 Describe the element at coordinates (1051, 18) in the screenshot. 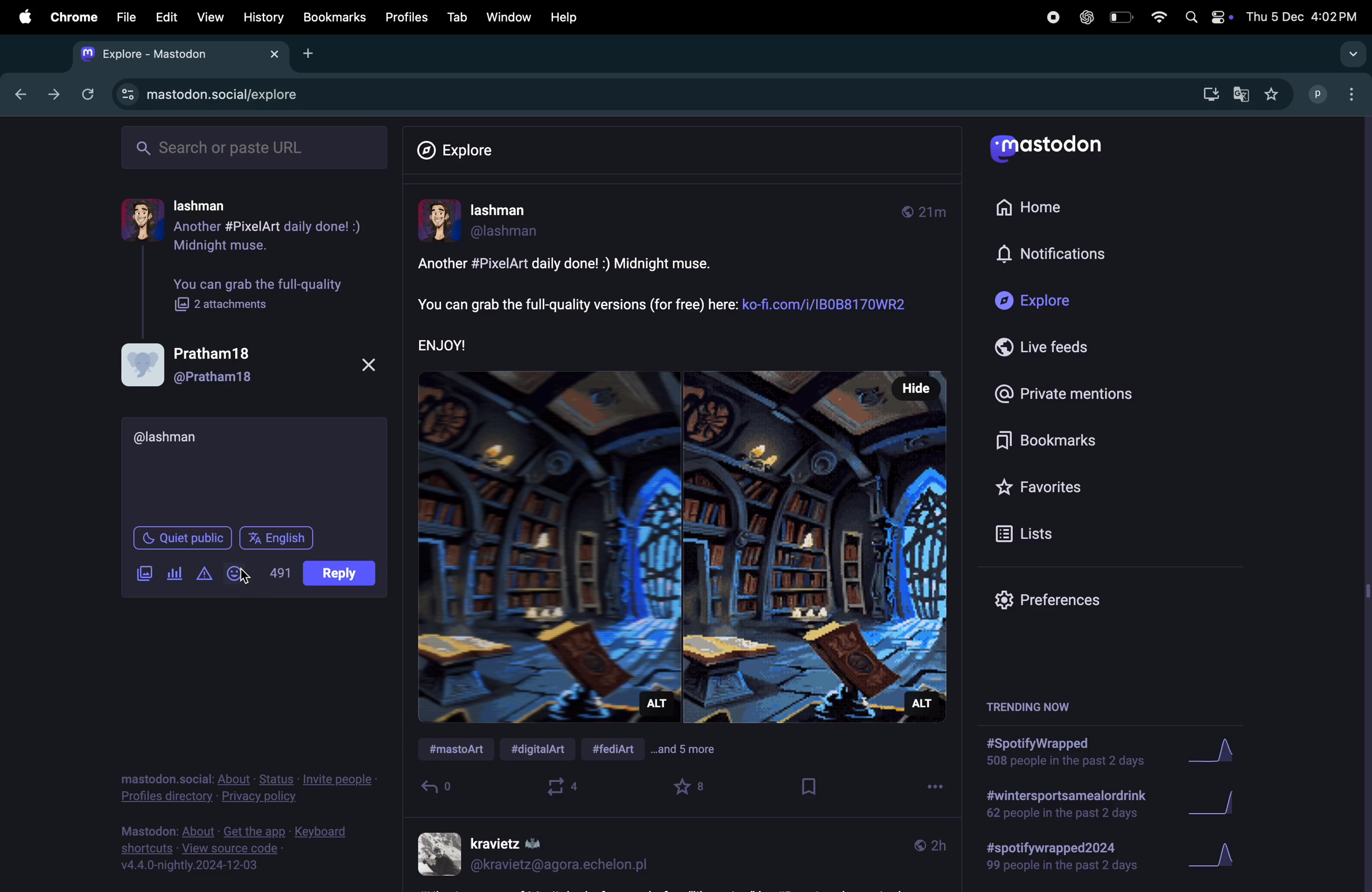

I see `record` at that location.